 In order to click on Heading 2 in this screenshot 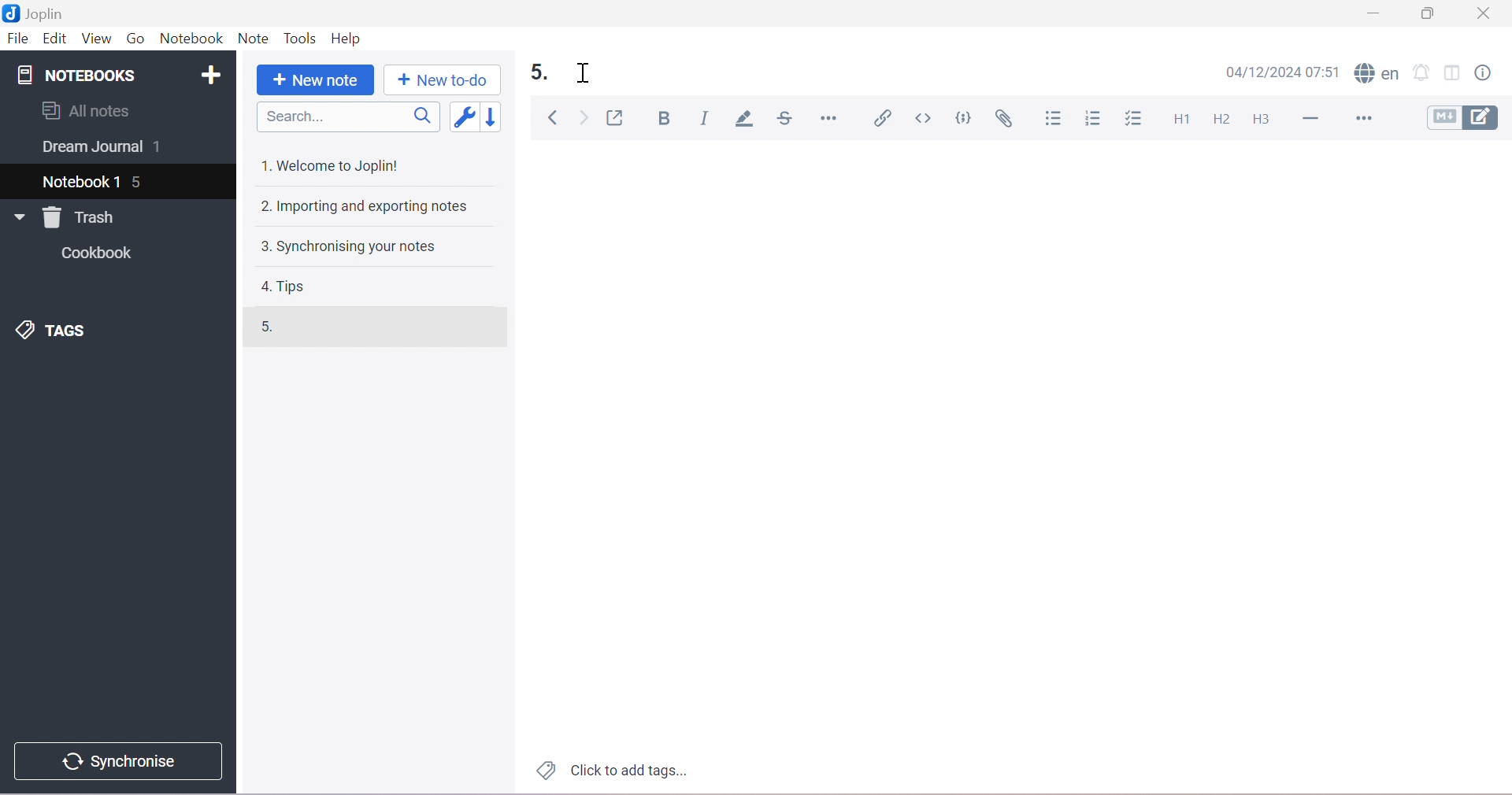, I will do `click(1222, 120)`.